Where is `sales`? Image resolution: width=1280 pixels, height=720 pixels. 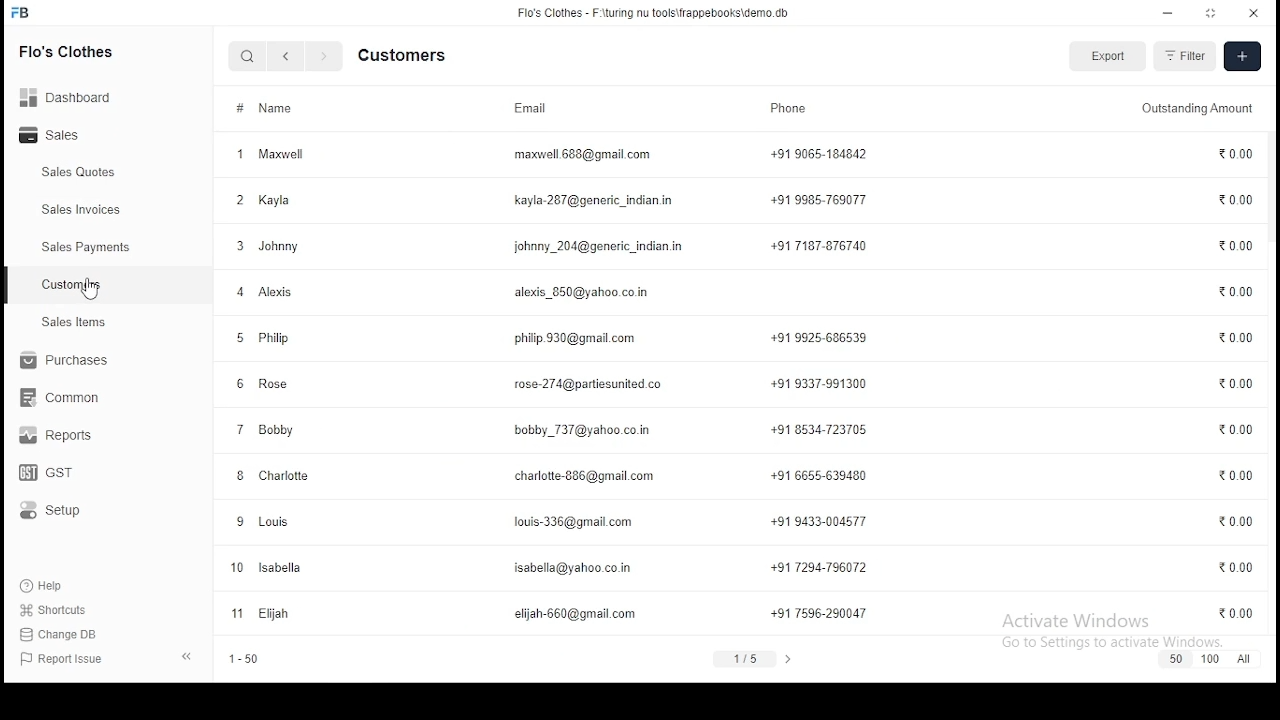
sales is located at coordinates (51, 135).